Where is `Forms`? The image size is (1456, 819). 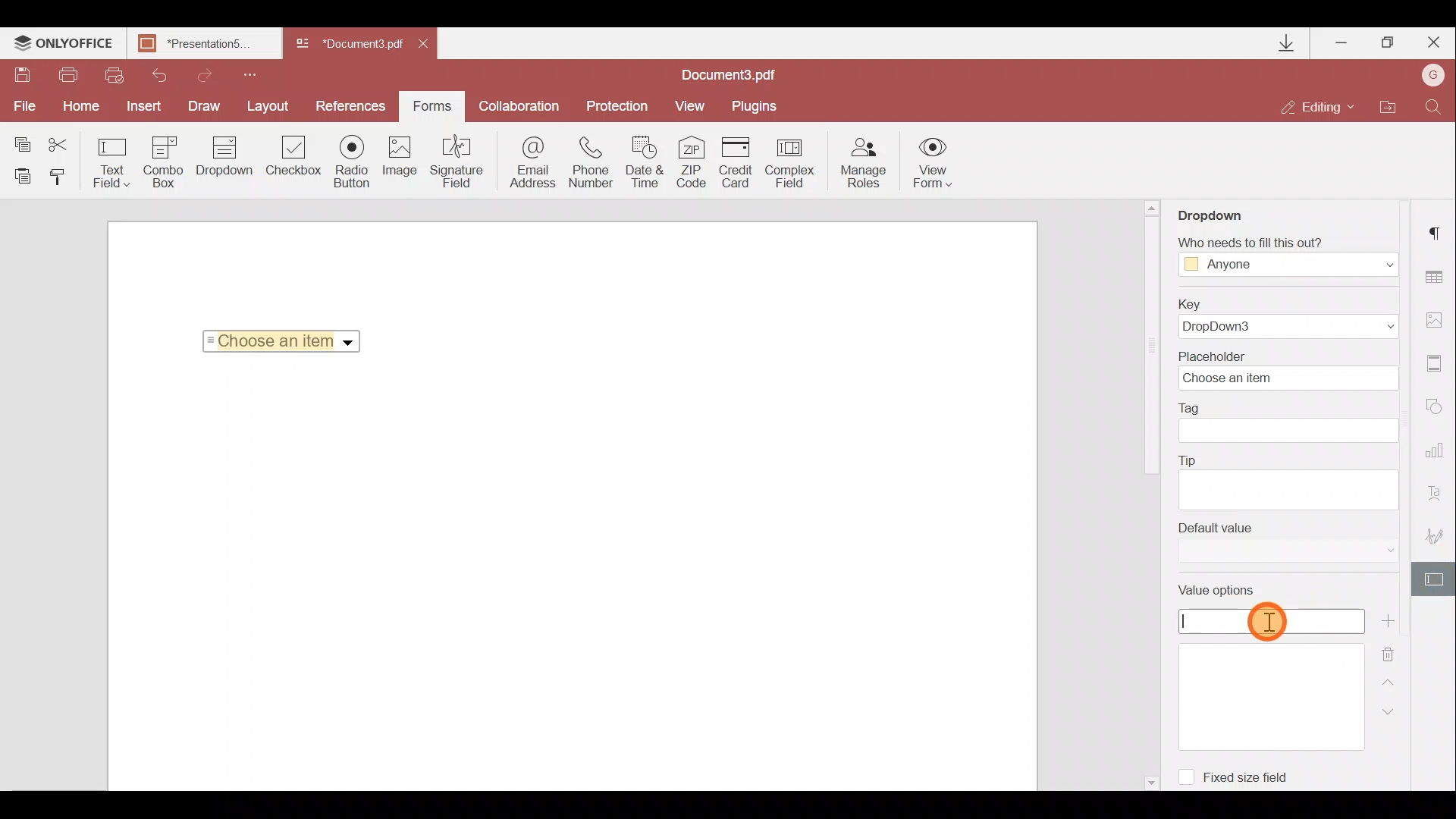 Forms is located at coordinates (432, 106).